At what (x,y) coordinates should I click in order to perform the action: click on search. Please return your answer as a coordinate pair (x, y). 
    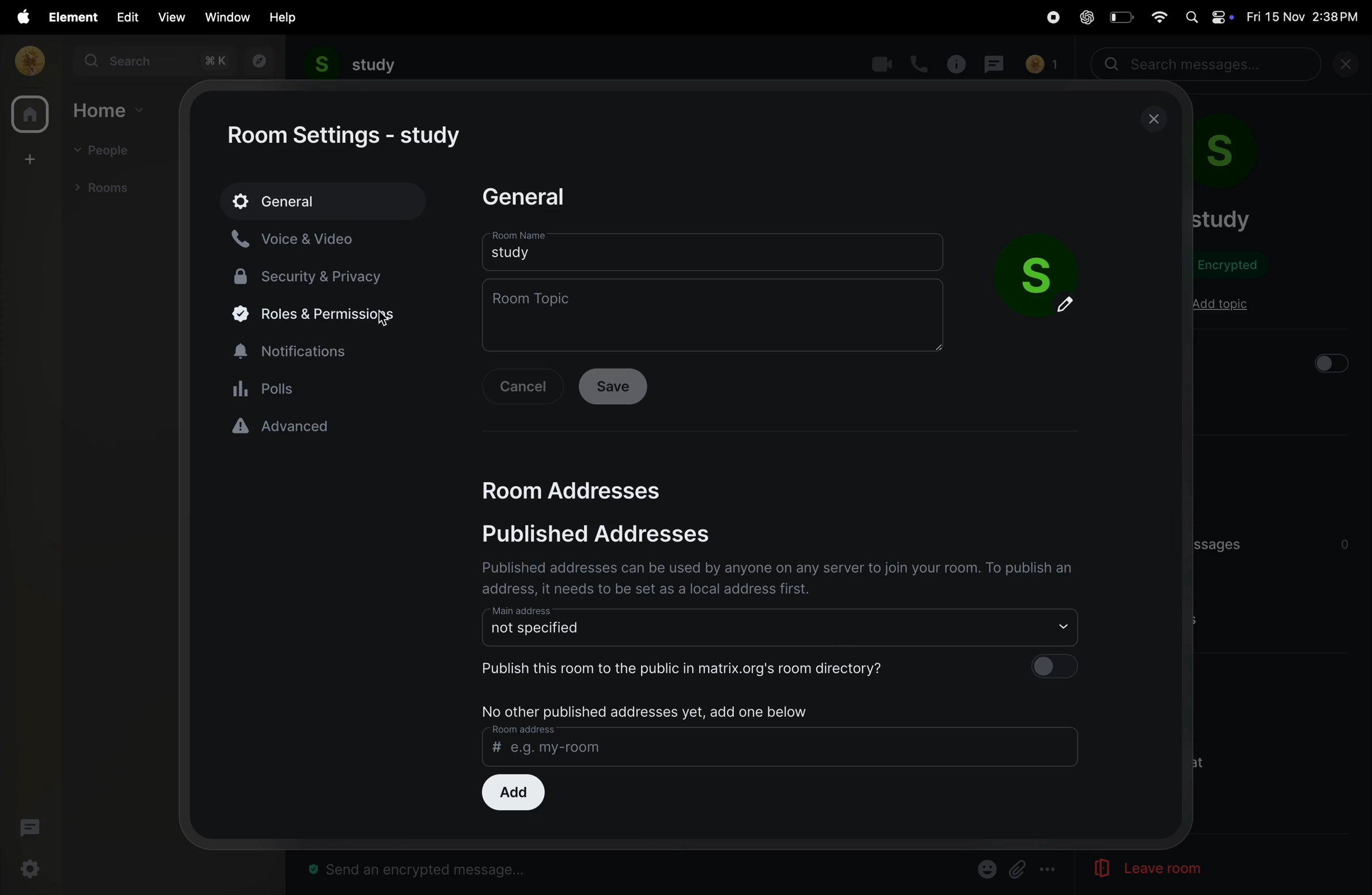
    Looking at the image, I should click on (153, 61).